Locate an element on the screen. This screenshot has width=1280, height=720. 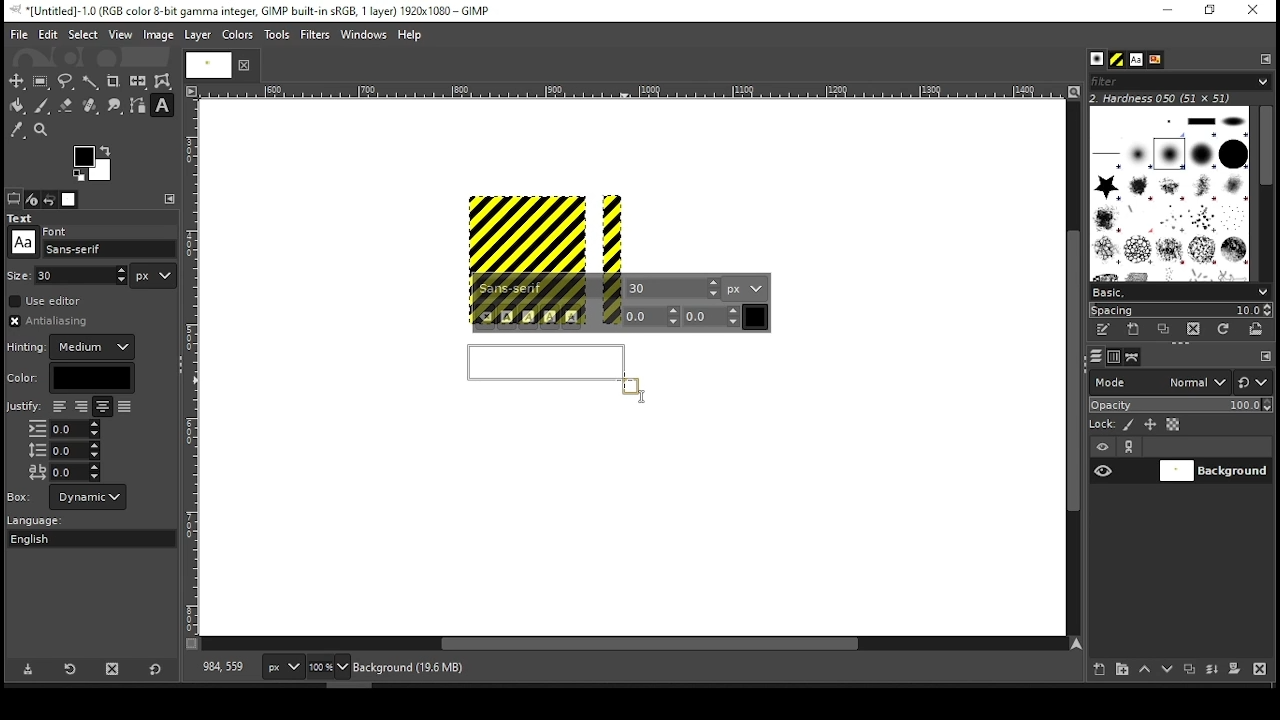
lock size and positioning is located at coordinates (1152, 425).